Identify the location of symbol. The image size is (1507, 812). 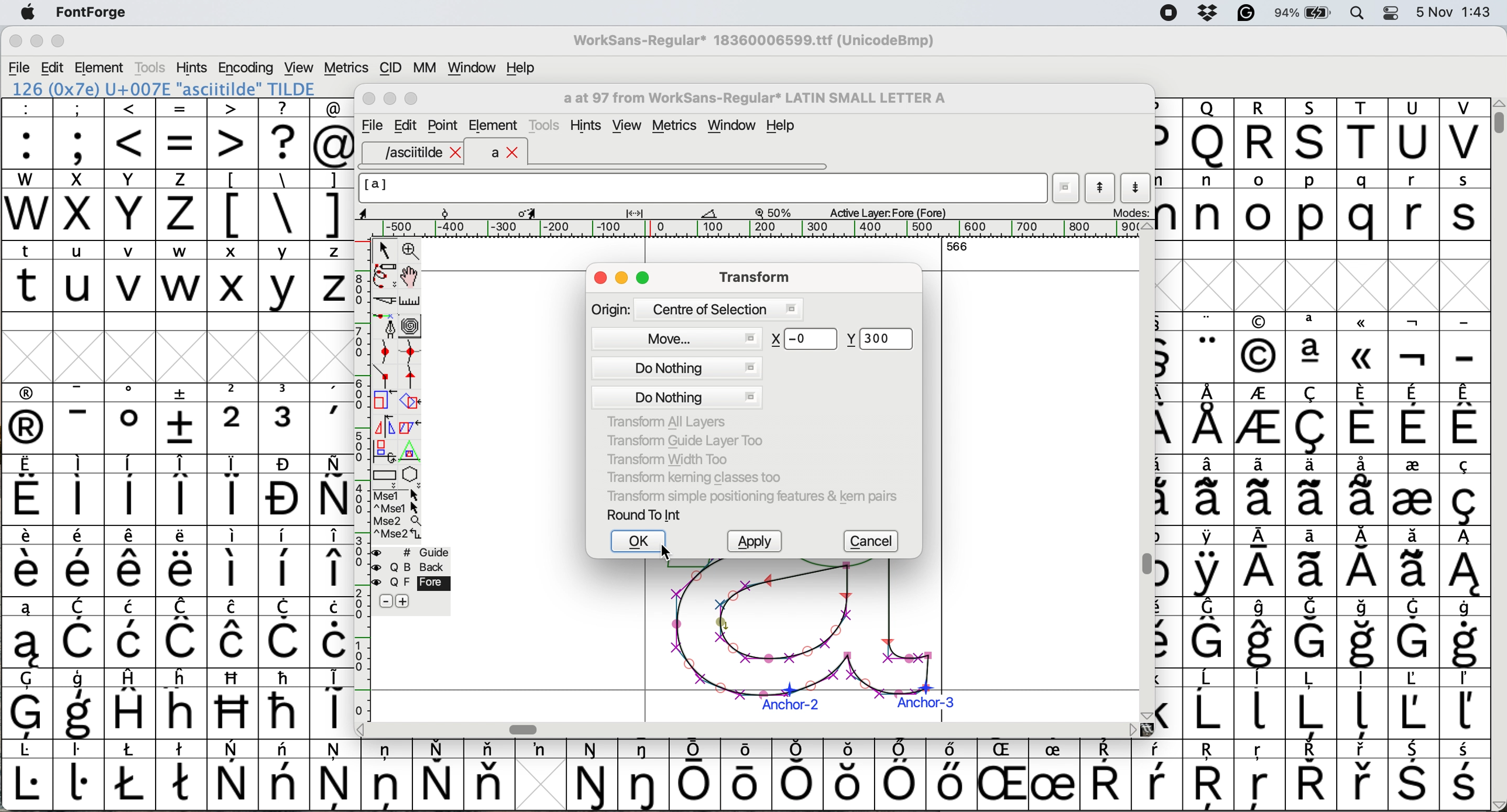
(1364, 488).